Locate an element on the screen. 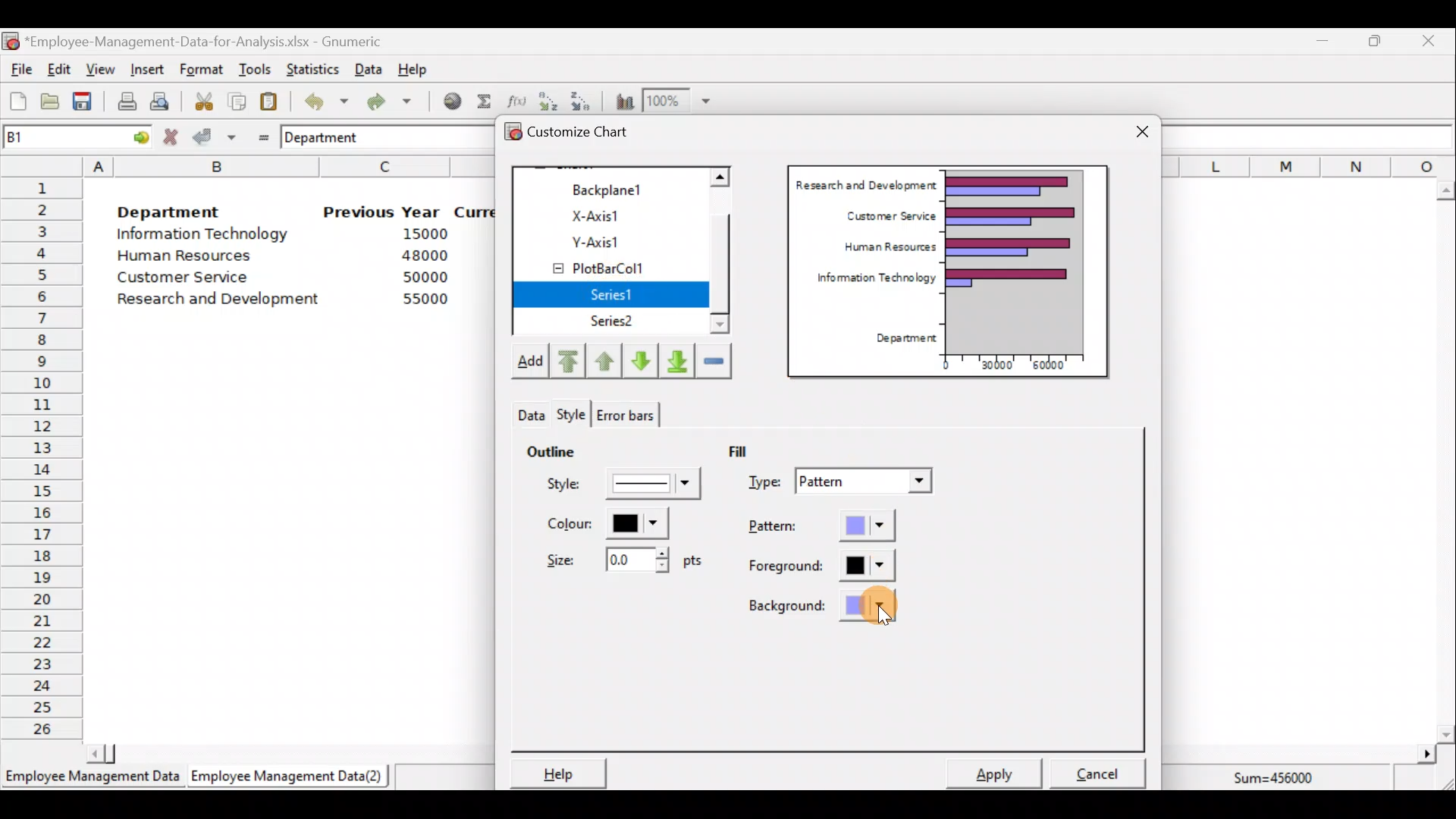  Zoom is located at coordinates (678, 101).